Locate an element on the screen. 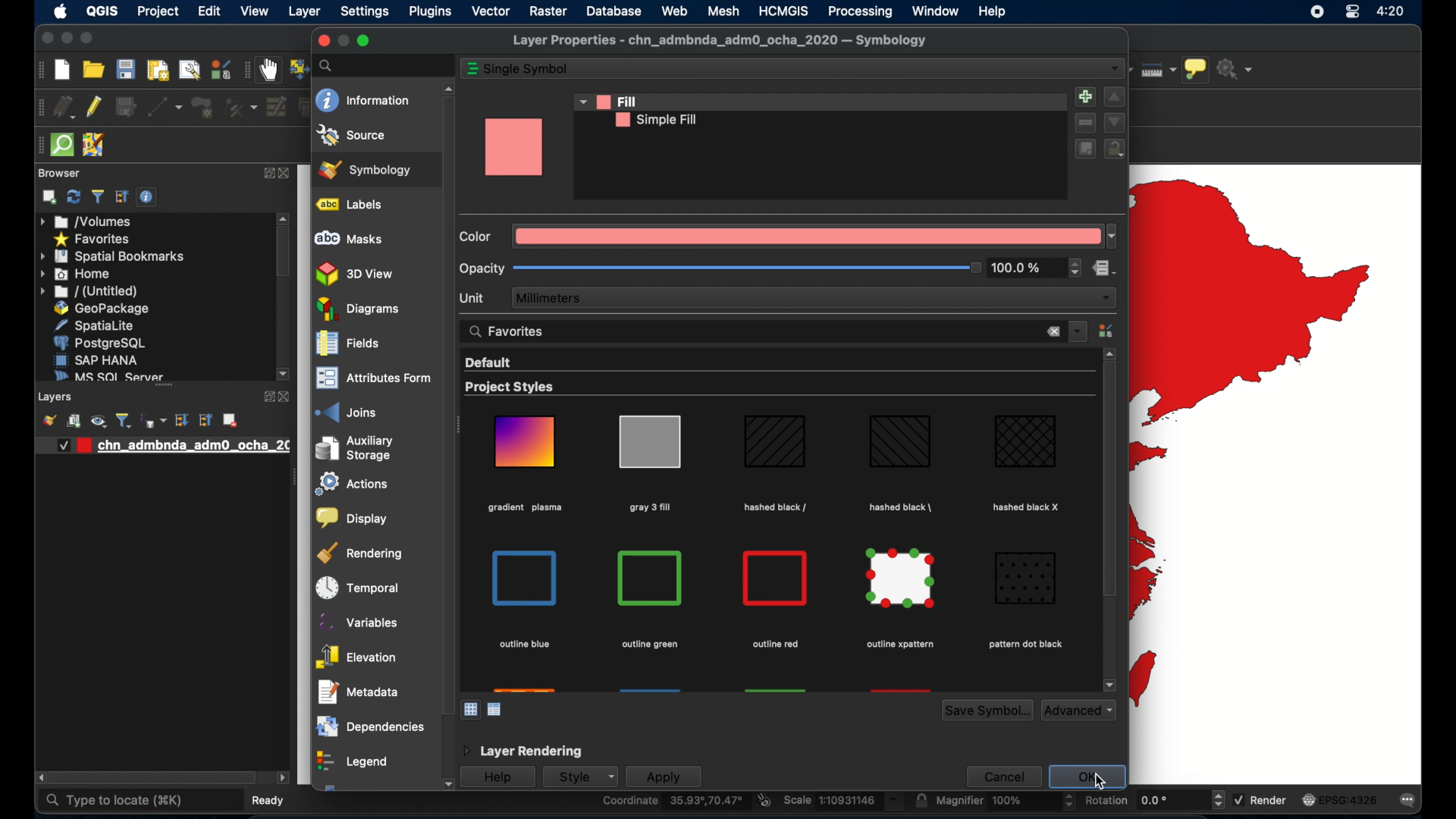  close is located at coordinates (287, 397).